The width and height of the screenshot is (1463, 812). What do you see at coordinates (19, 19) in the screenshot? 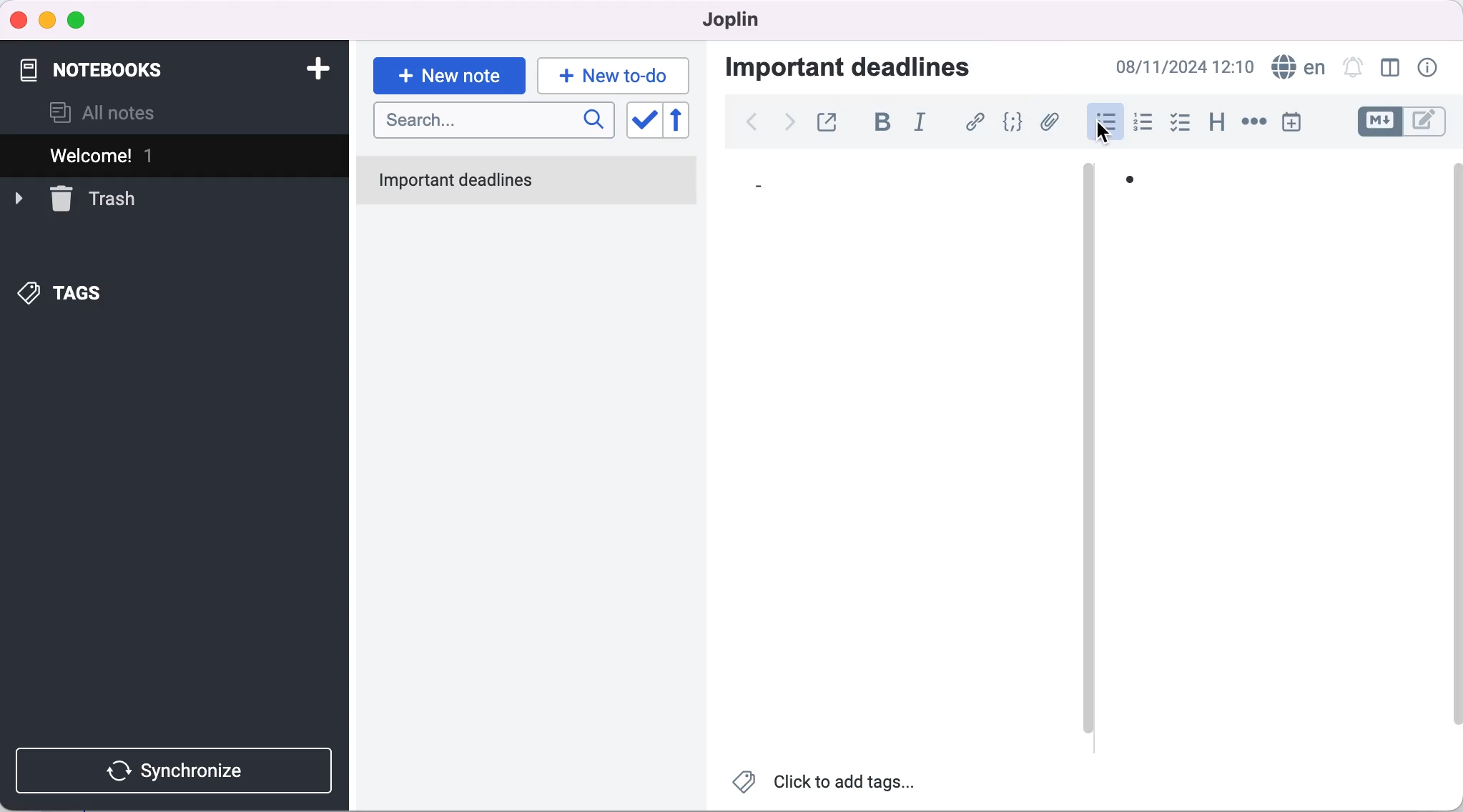
I see `close` at bounding box center [19, 19].